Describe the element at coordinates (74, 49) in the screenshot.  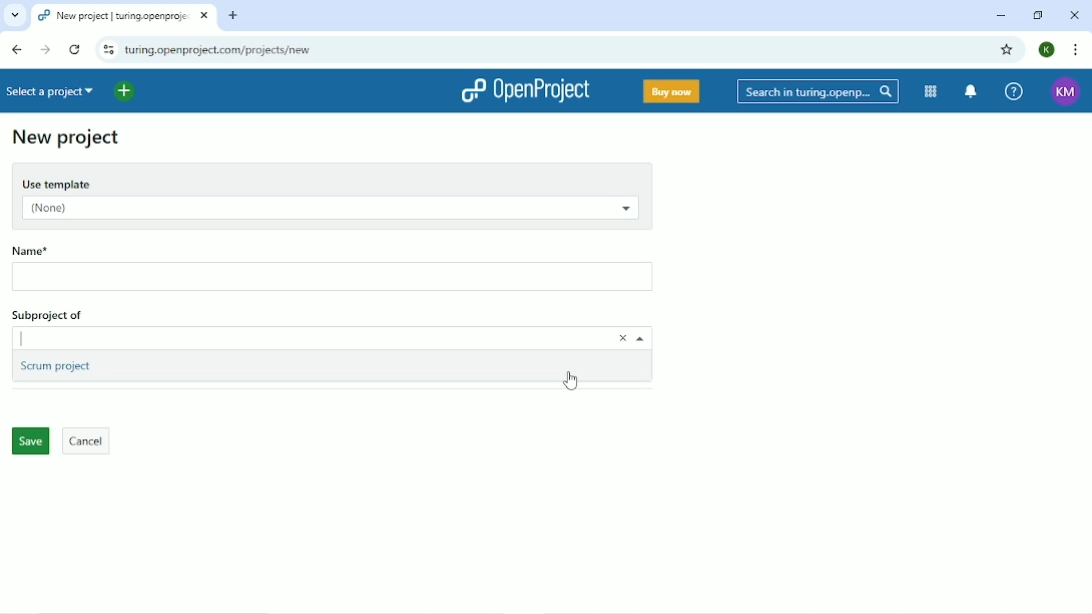
I see `Reload this page` at that location.